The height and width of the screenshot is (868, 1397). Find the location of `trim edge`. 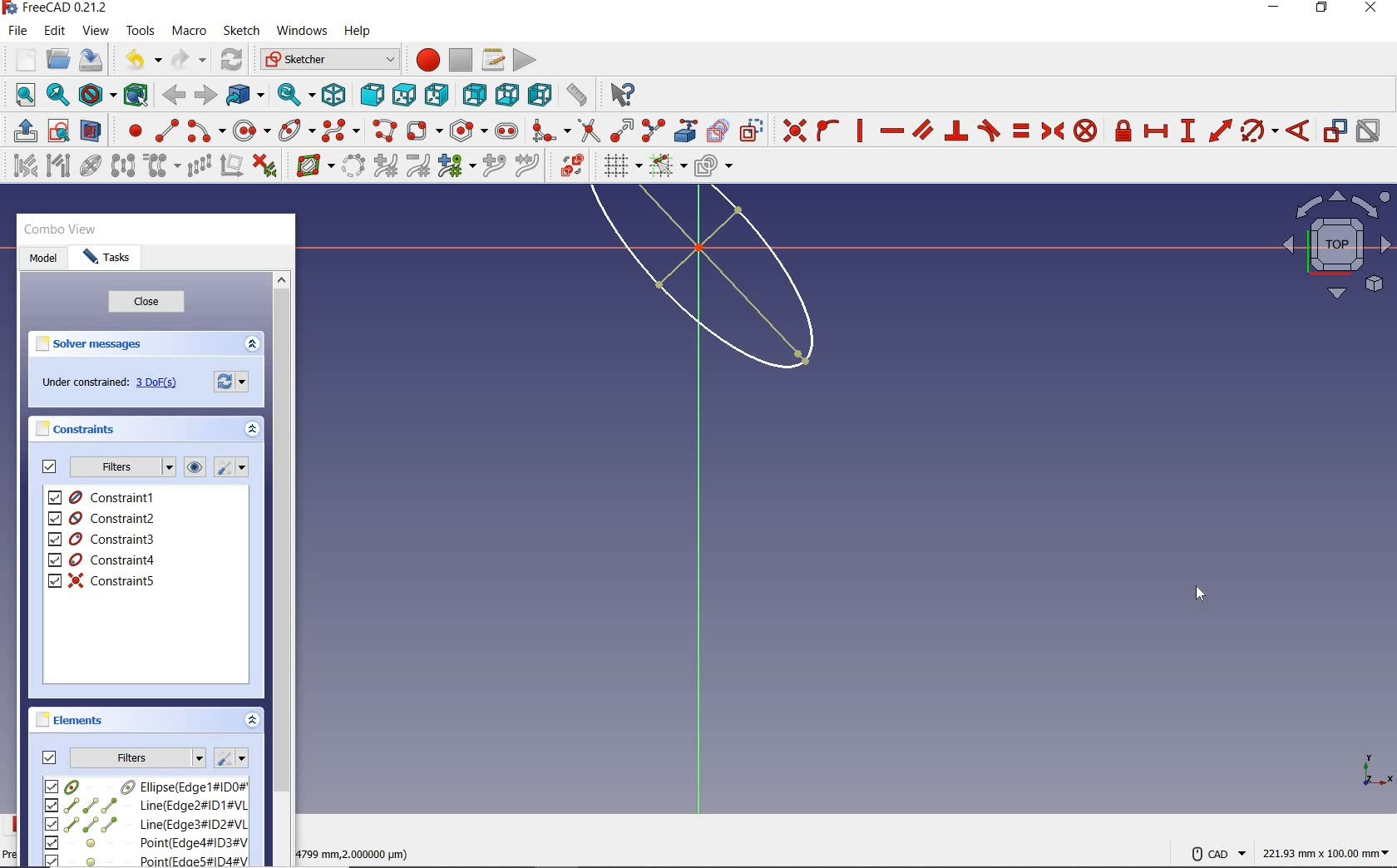

trim edge is located at coordinates (588, 130).